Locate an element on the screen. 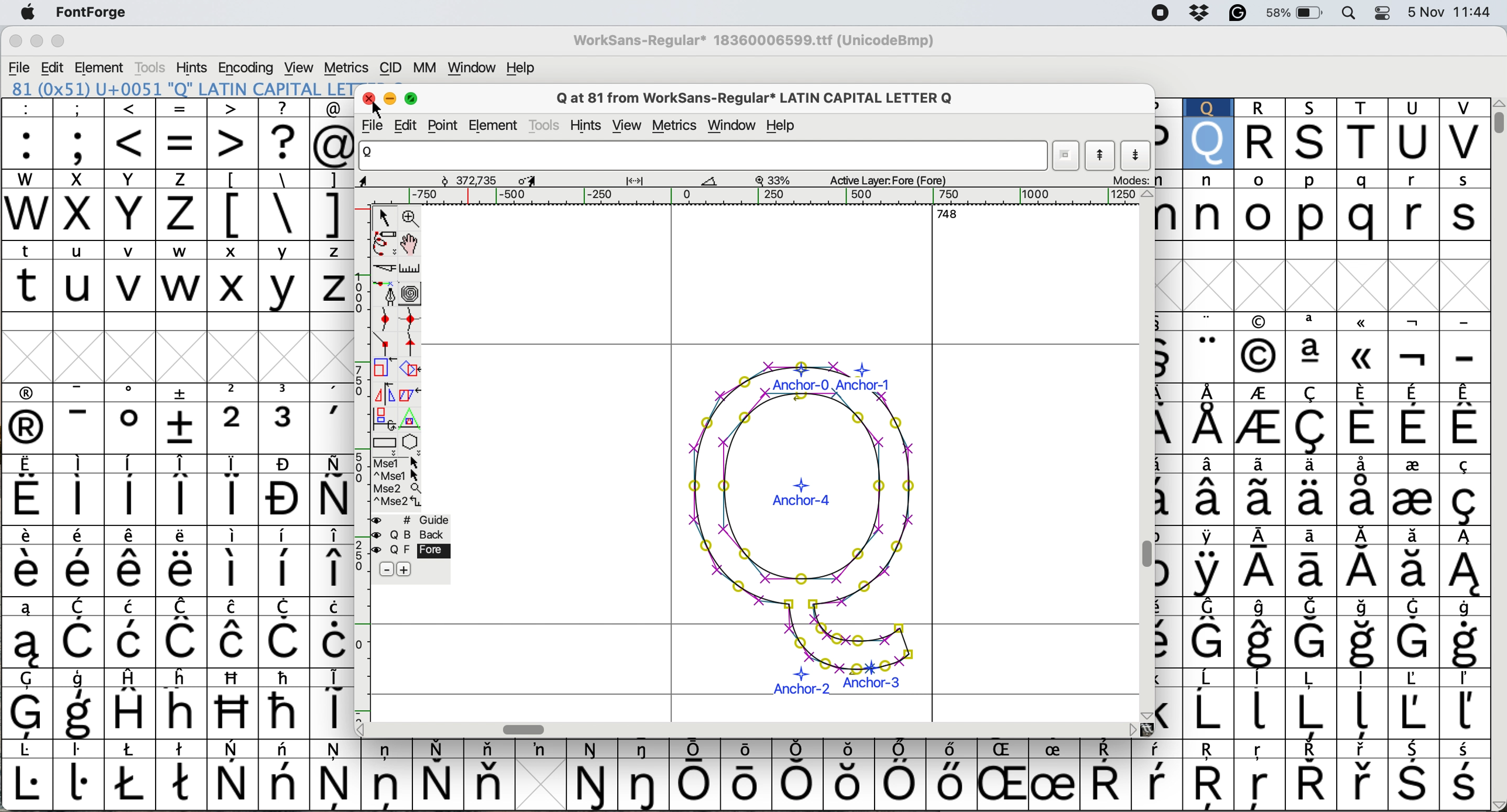 The height and width of the screenshot is (812, 1507). encoding is located at coordinates (247, 67).